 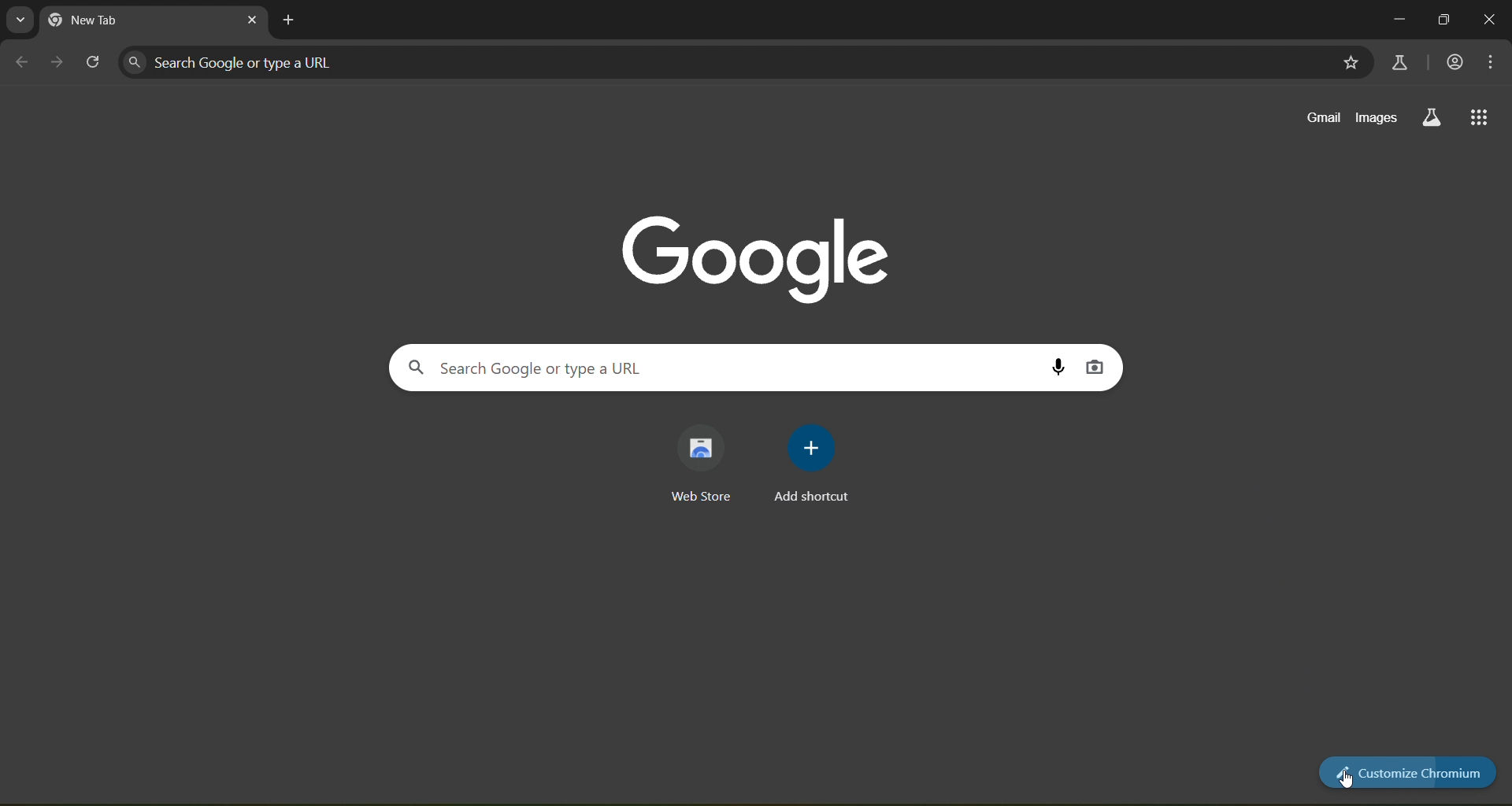 I want to click on search panel, so click(x=558, y=367).